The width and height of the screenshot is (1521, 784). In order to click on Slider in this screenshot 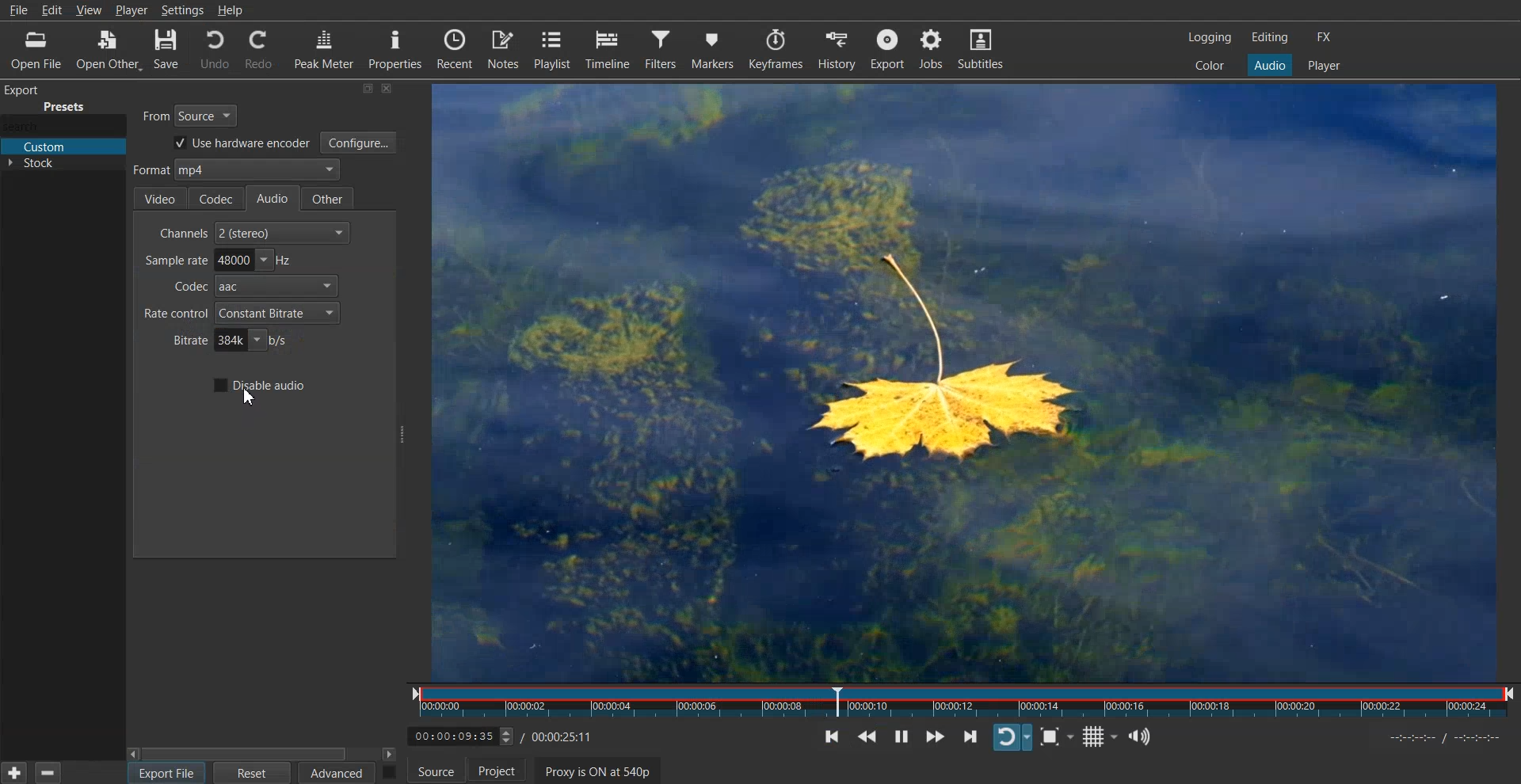, I will do `click(966, 702)`.